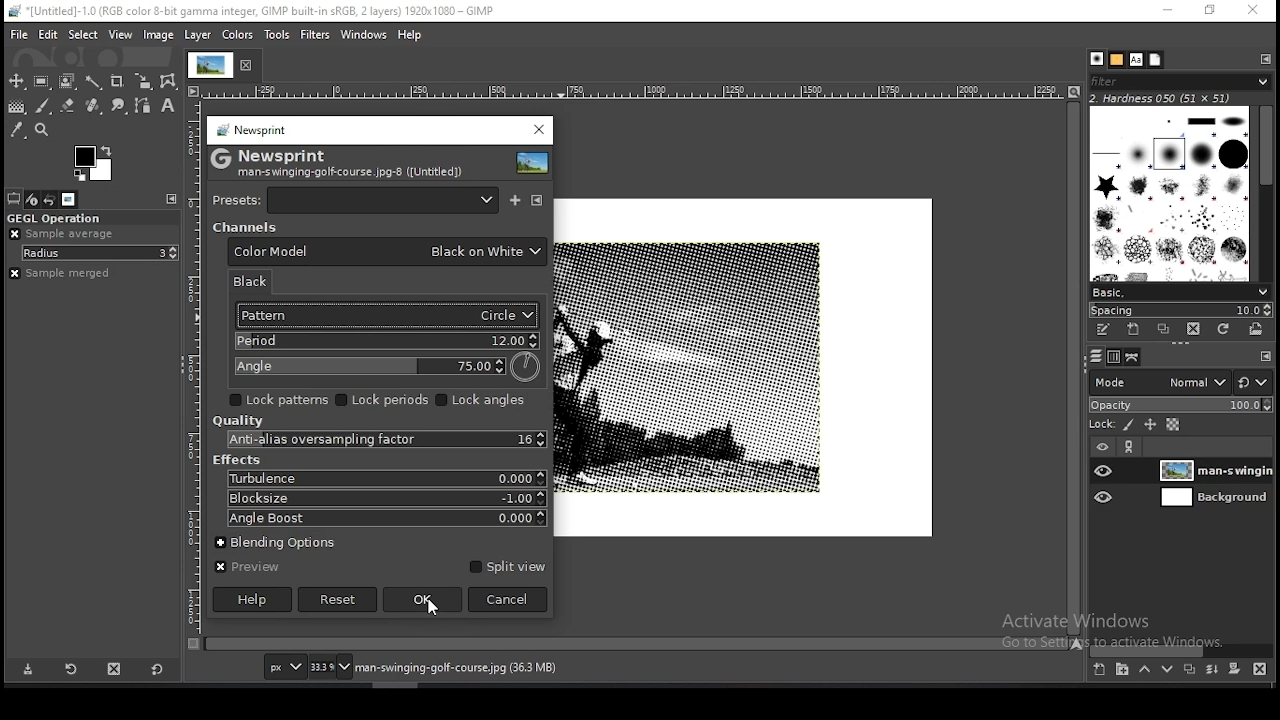  Describe the element at coordinates (69, 669) in the screenshot. I see `restore tool preset` at that location.